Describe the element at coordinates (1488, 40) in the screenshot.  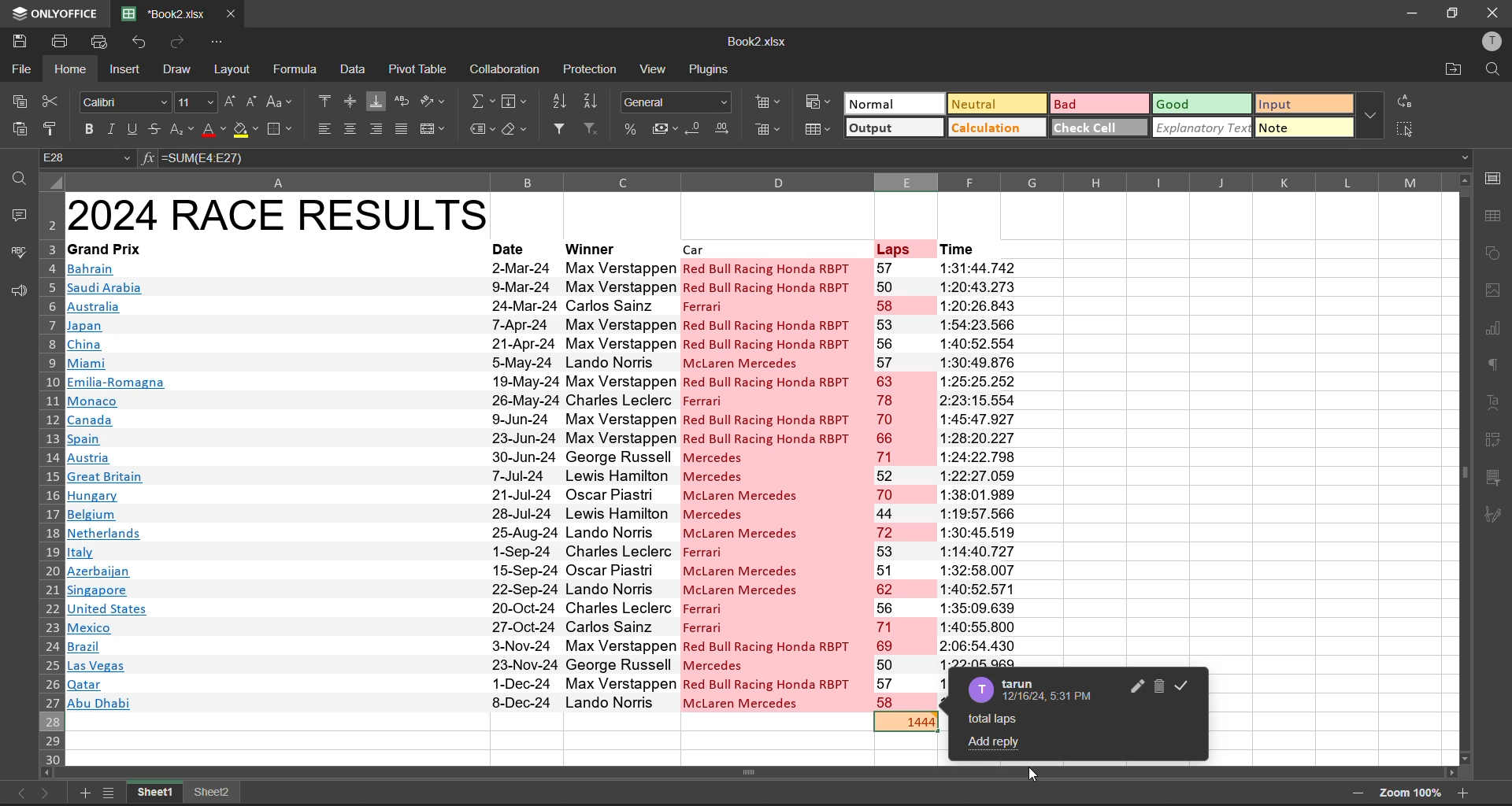
I see `profile` at that location.